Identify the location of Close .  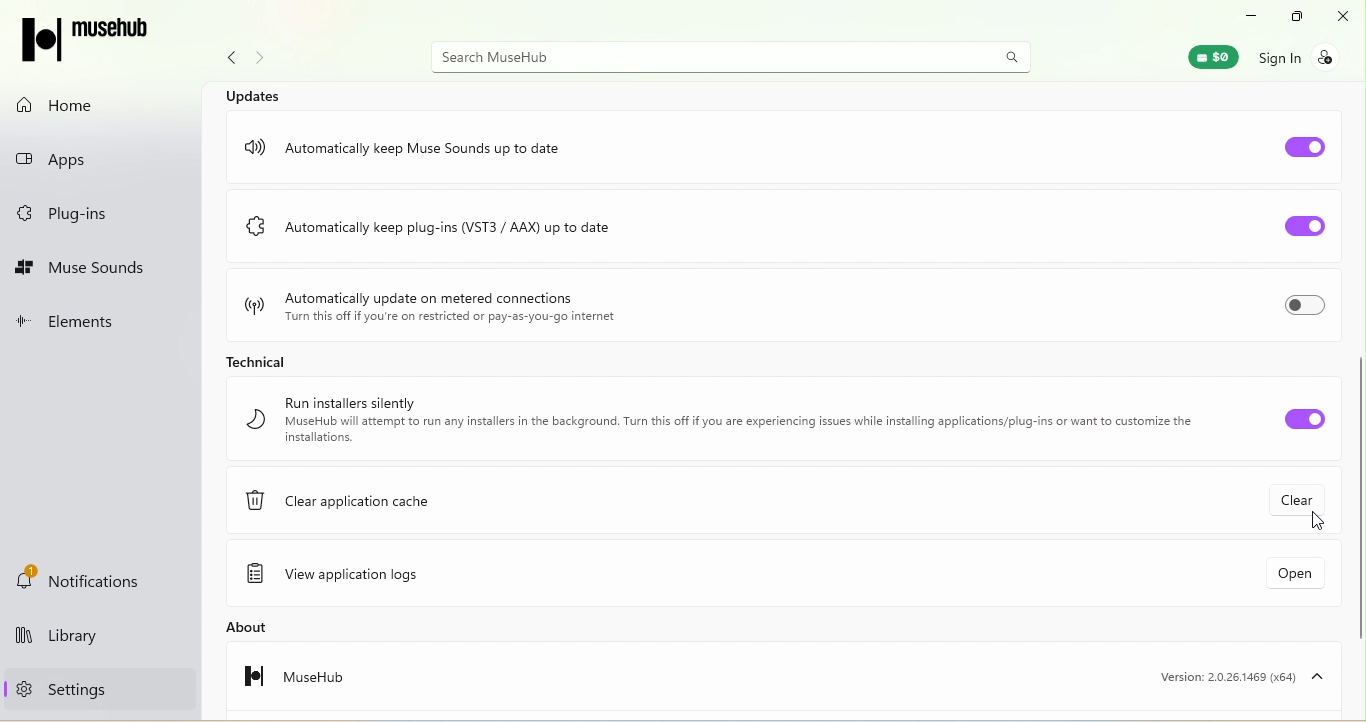
(1345, 16).